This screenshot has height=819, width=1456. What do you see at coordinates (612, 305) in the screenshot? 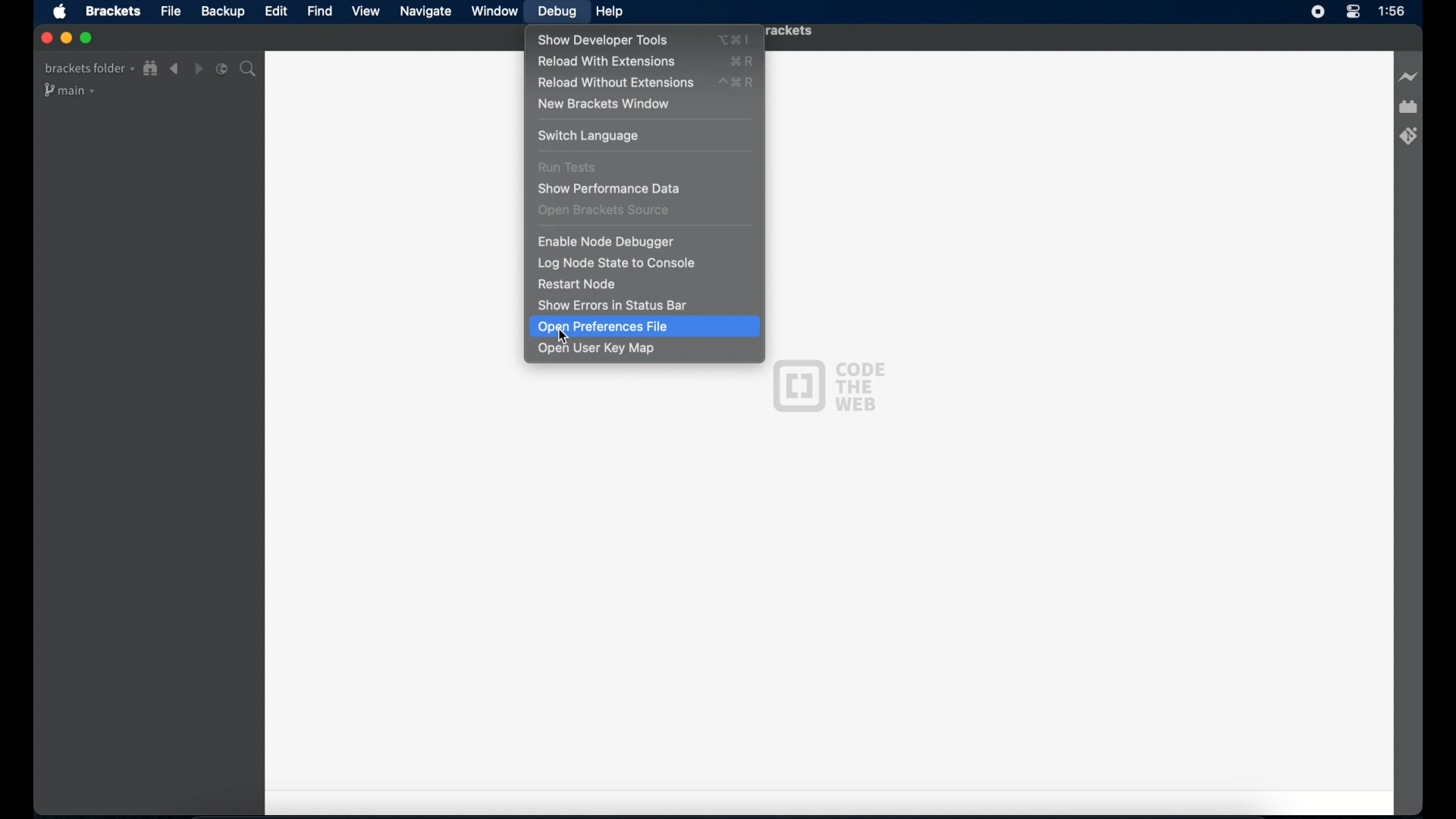
I see `show errors in status bar` at bounding box center [612, 305].